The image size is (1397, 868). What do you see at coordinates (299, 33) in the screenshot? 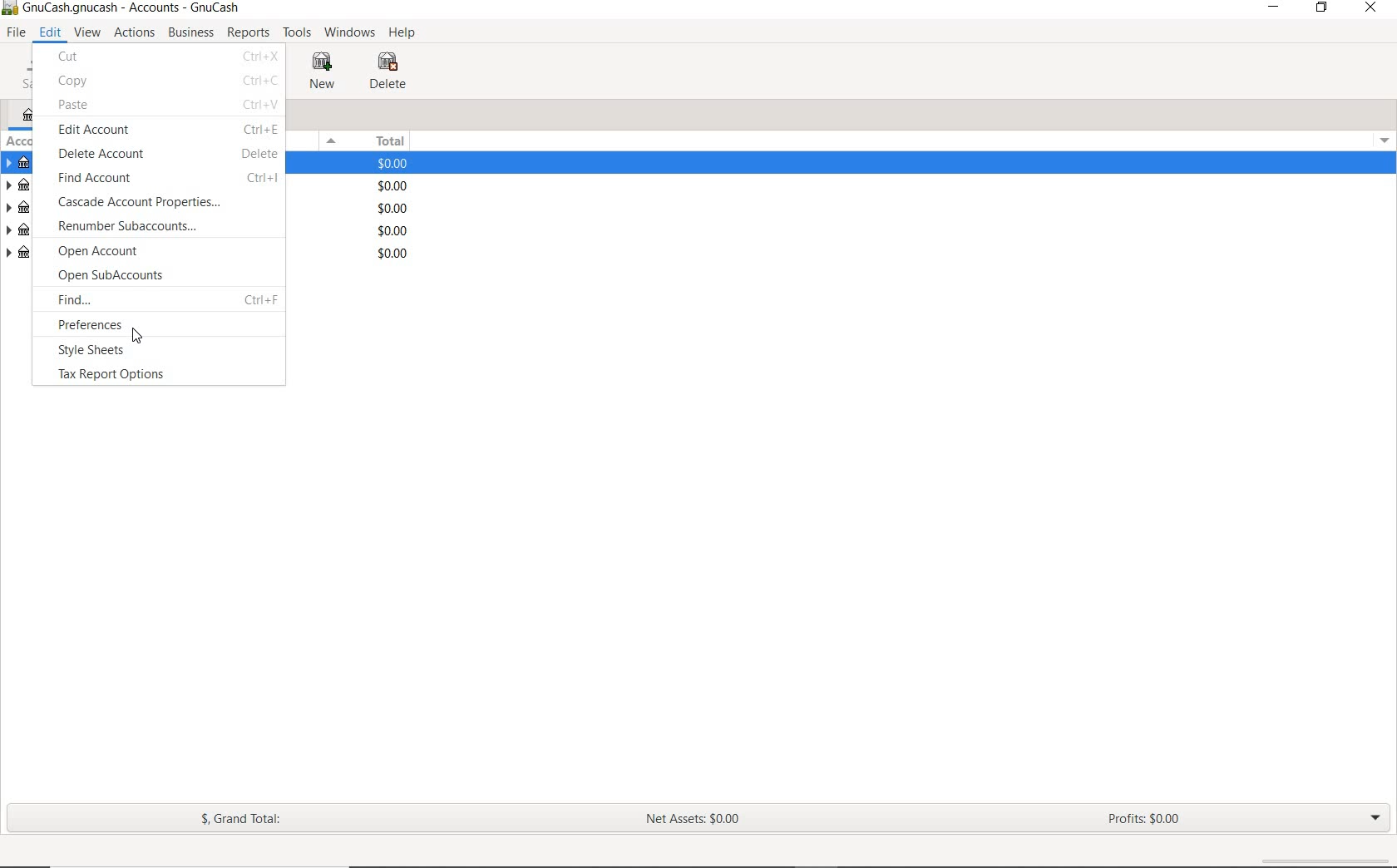
I see `TOOLS` at bounding box center [299, 33].